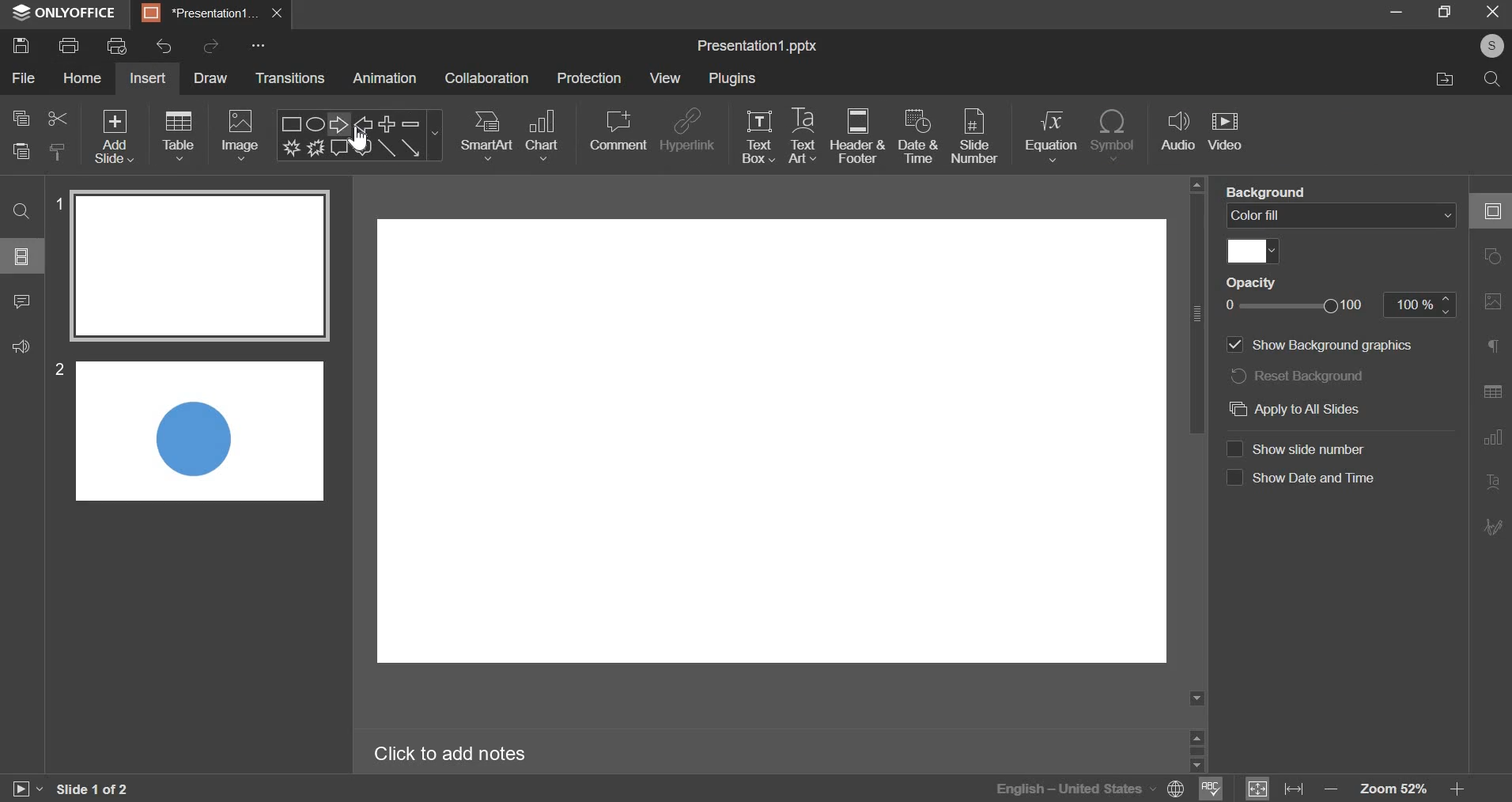 The height and width of the screenshot is (802, 1512). I want to click on Rounded Rectangular callout, so click(363, 148).